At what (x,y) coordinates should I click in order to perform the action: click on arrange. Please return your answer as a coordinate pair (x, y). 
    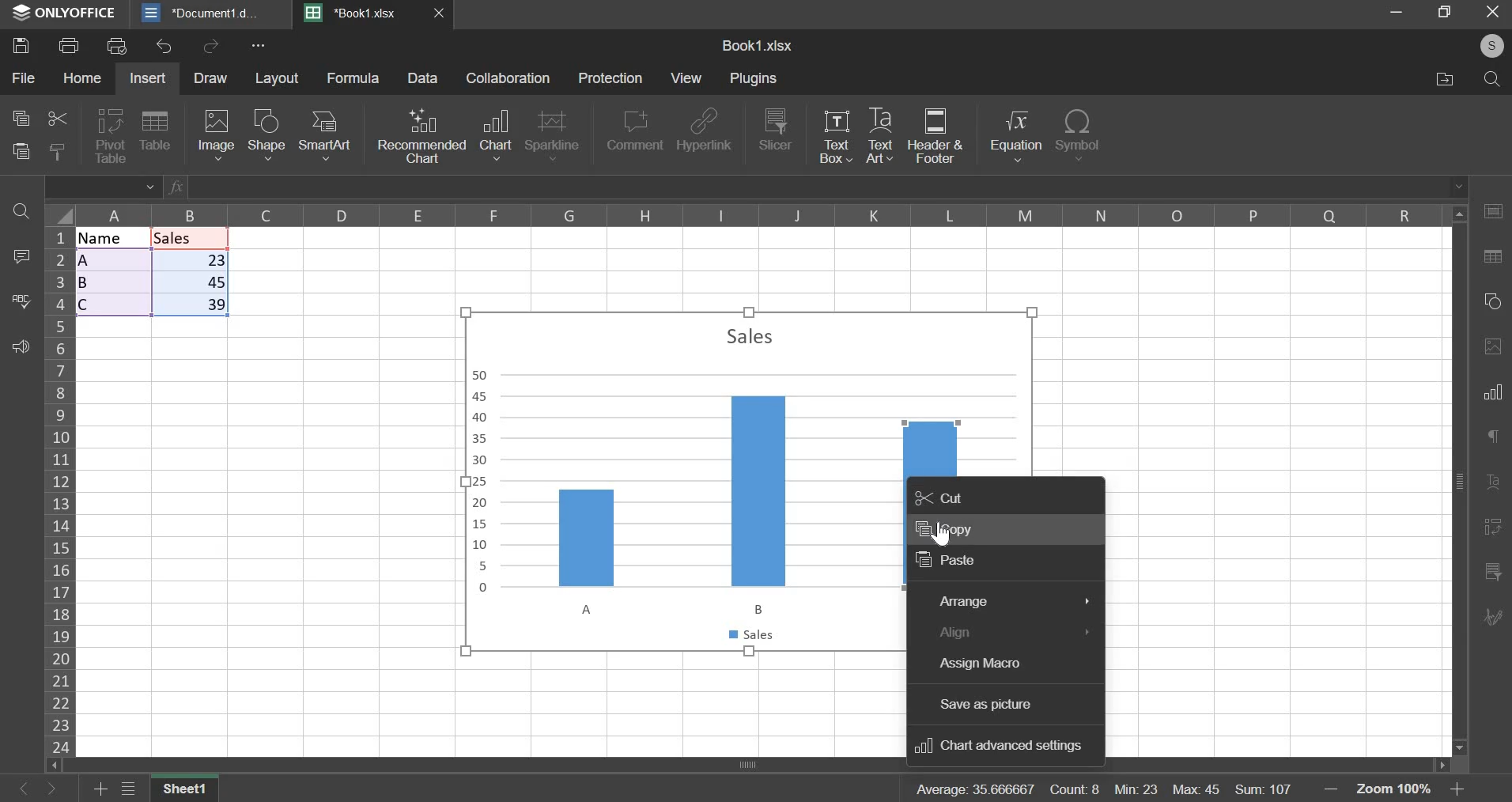
    Looking at the image, I should click on (1013, 603).